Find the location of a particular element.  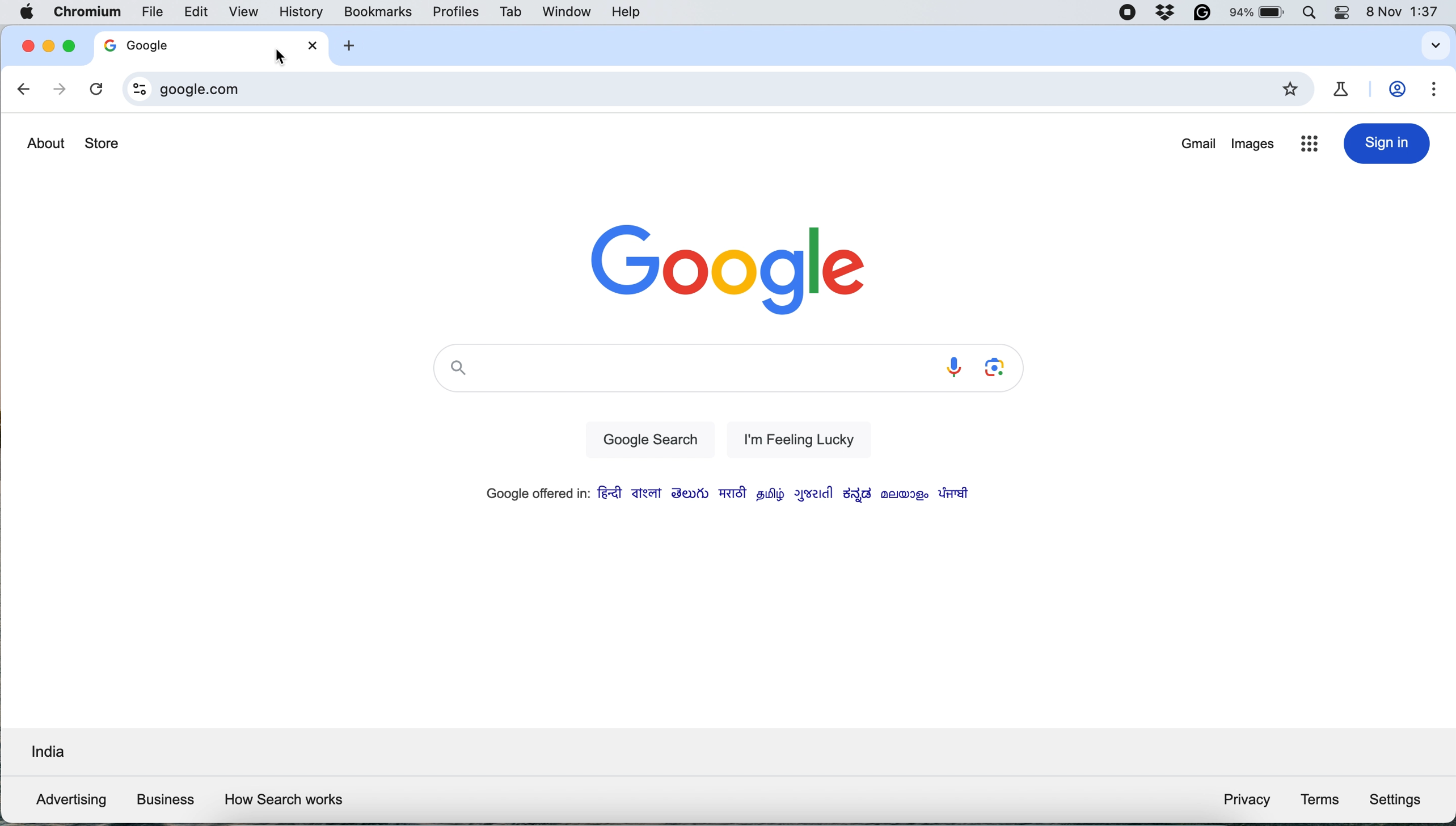

website address is located at coordinates (705, 90).